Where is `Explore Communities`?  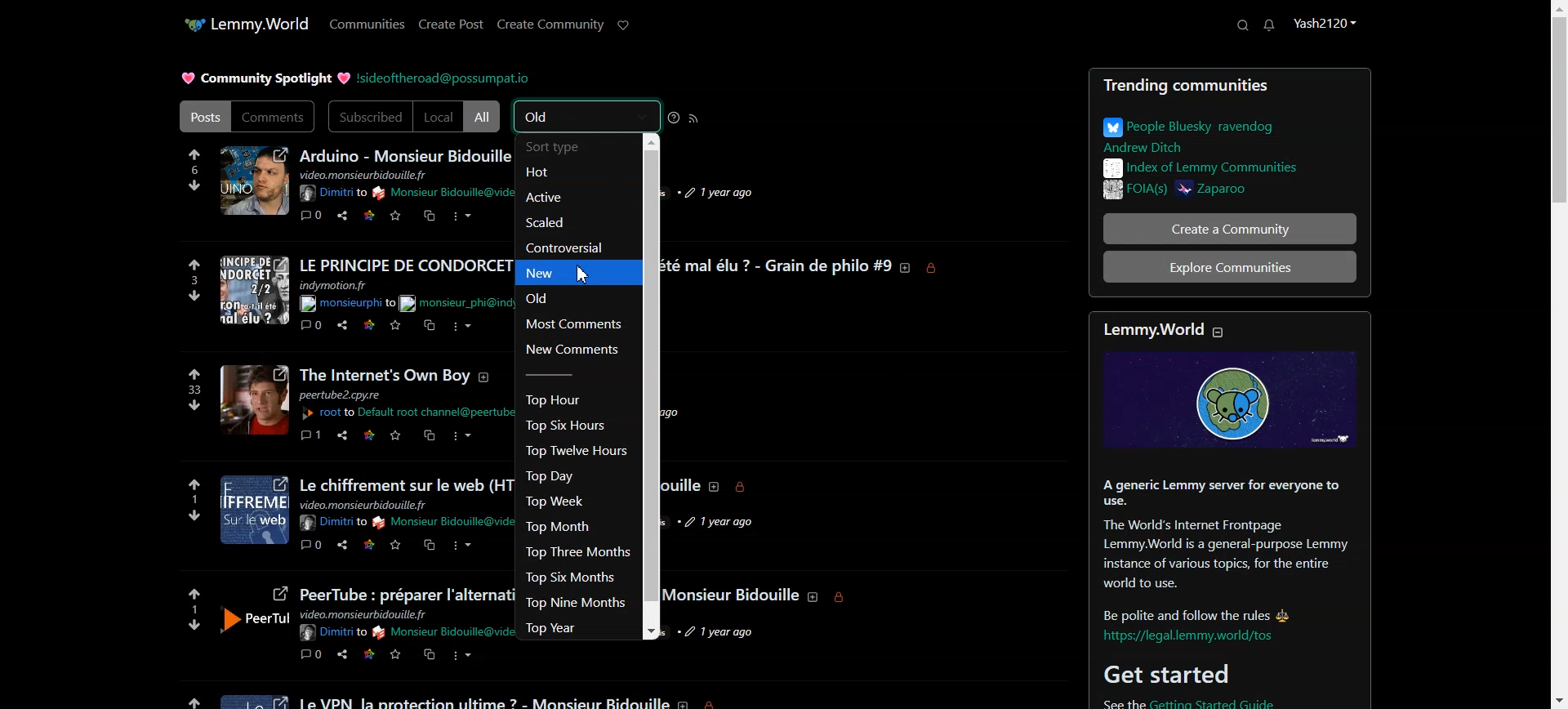 Explore Communities is located at coordinates (1230, 266).